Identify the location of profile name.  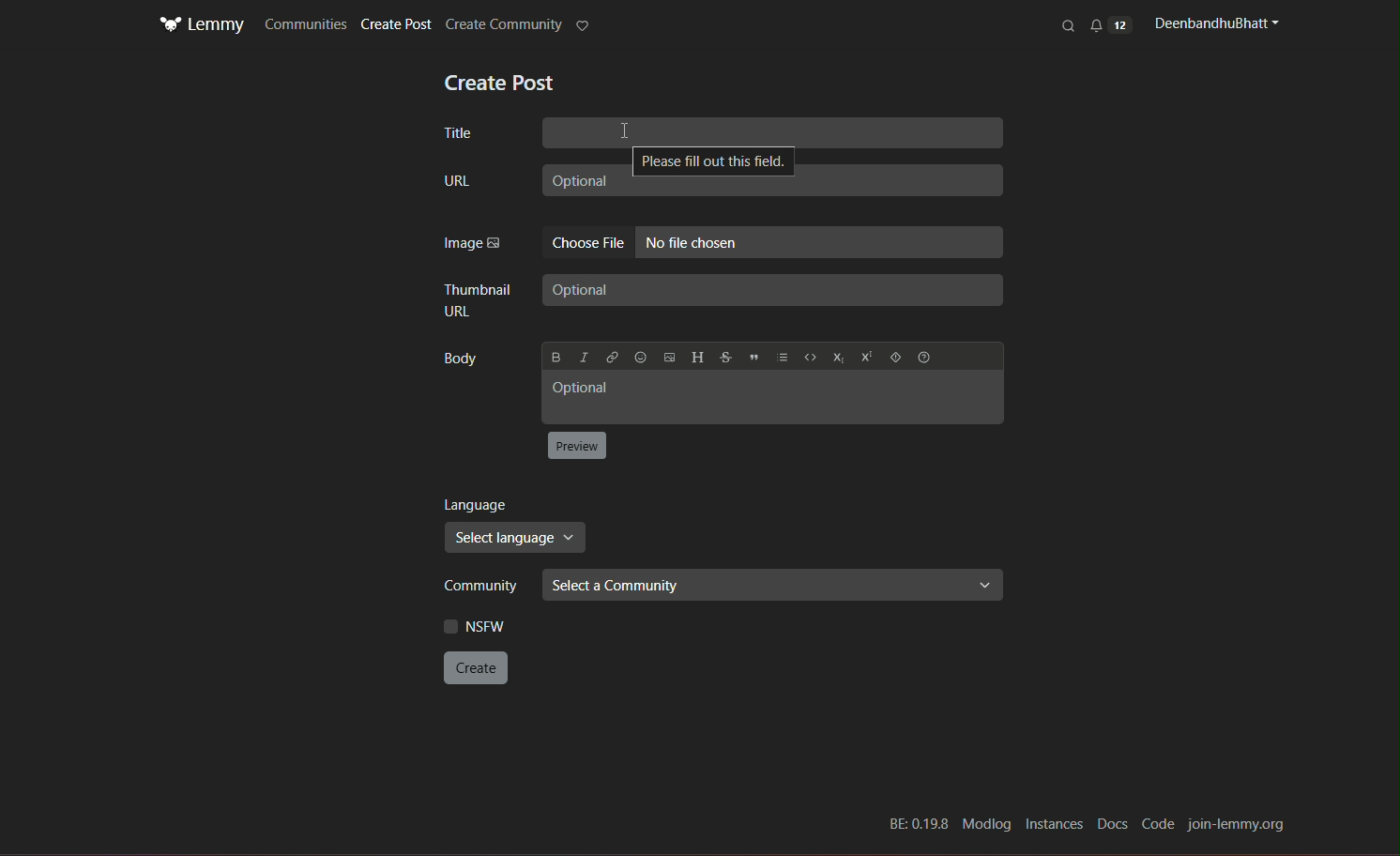
(1213, 23).